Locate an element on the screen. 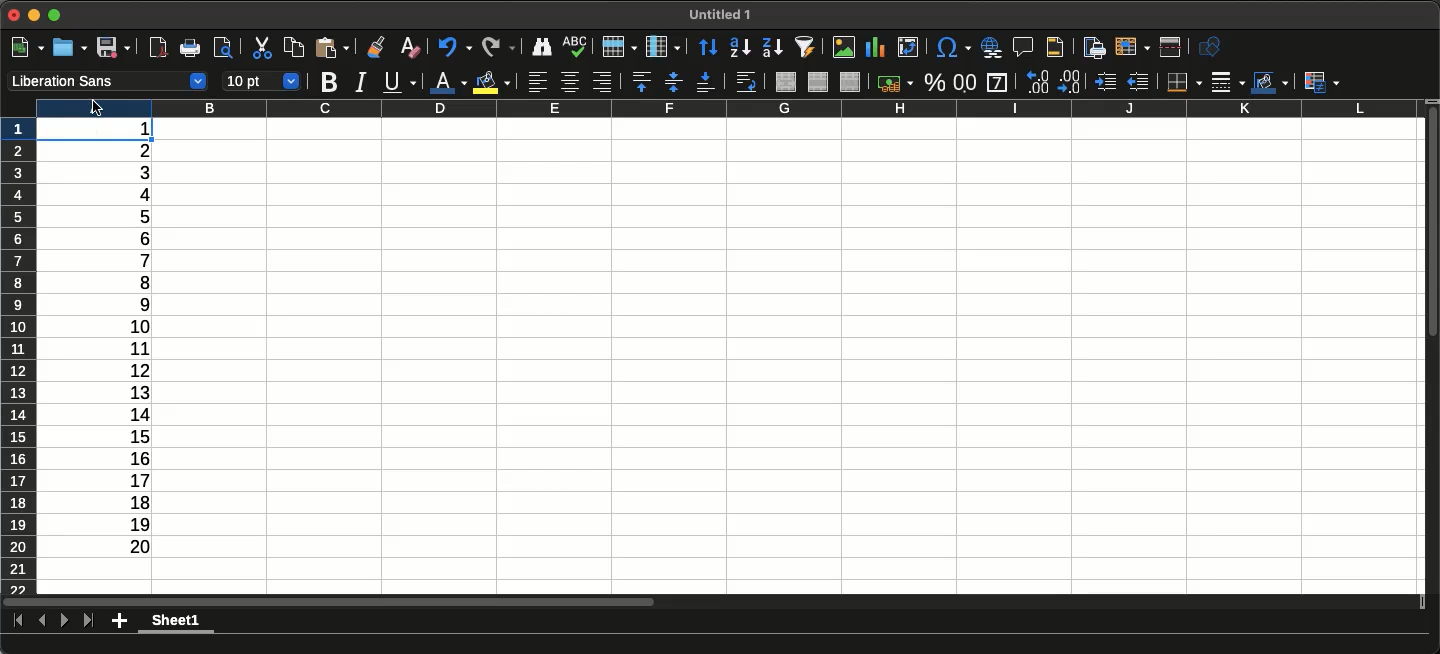  Next sheet is located at coordinates (64, 619).